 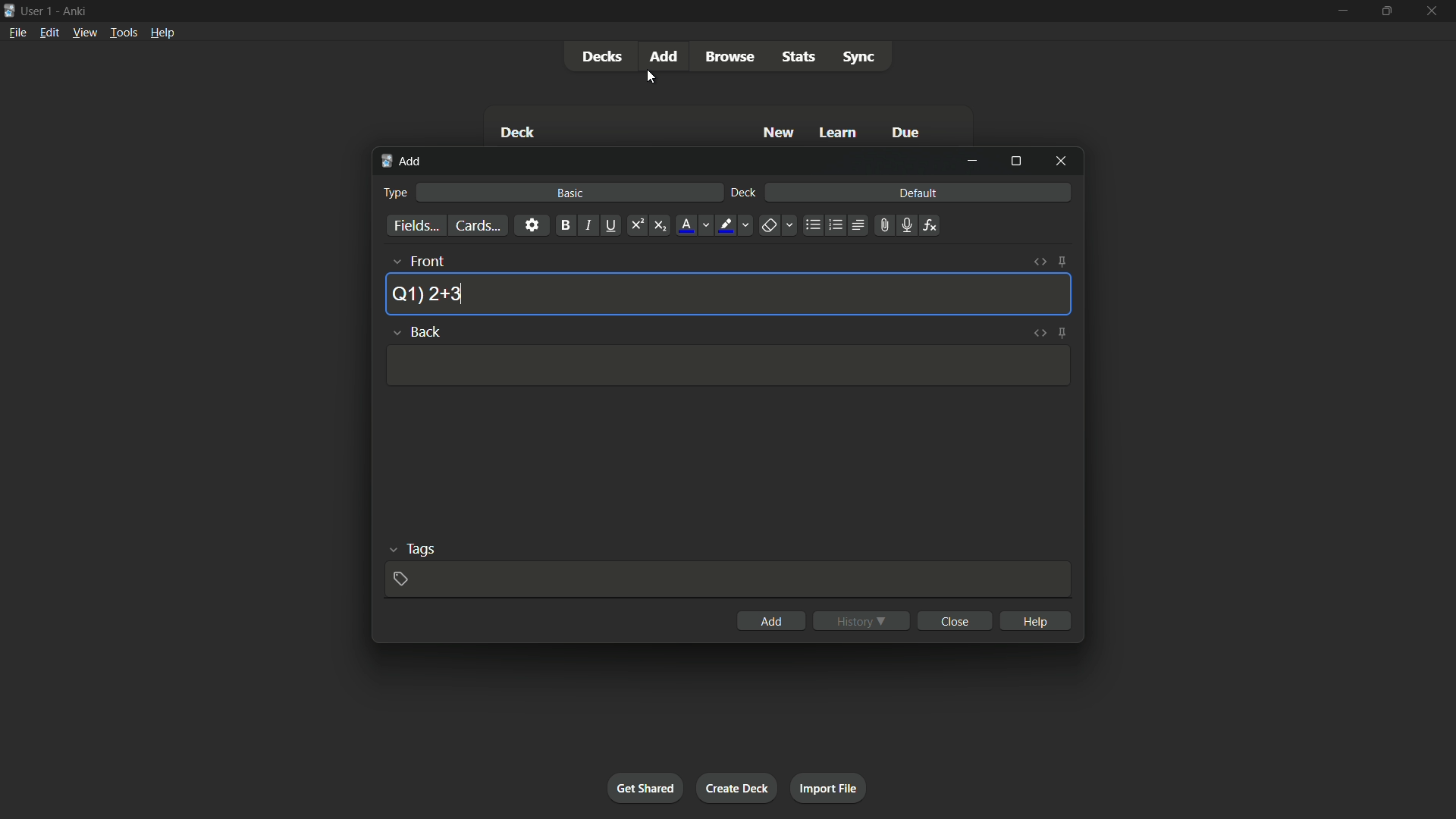 I want to click on cursor, so click(x=651, y=78).